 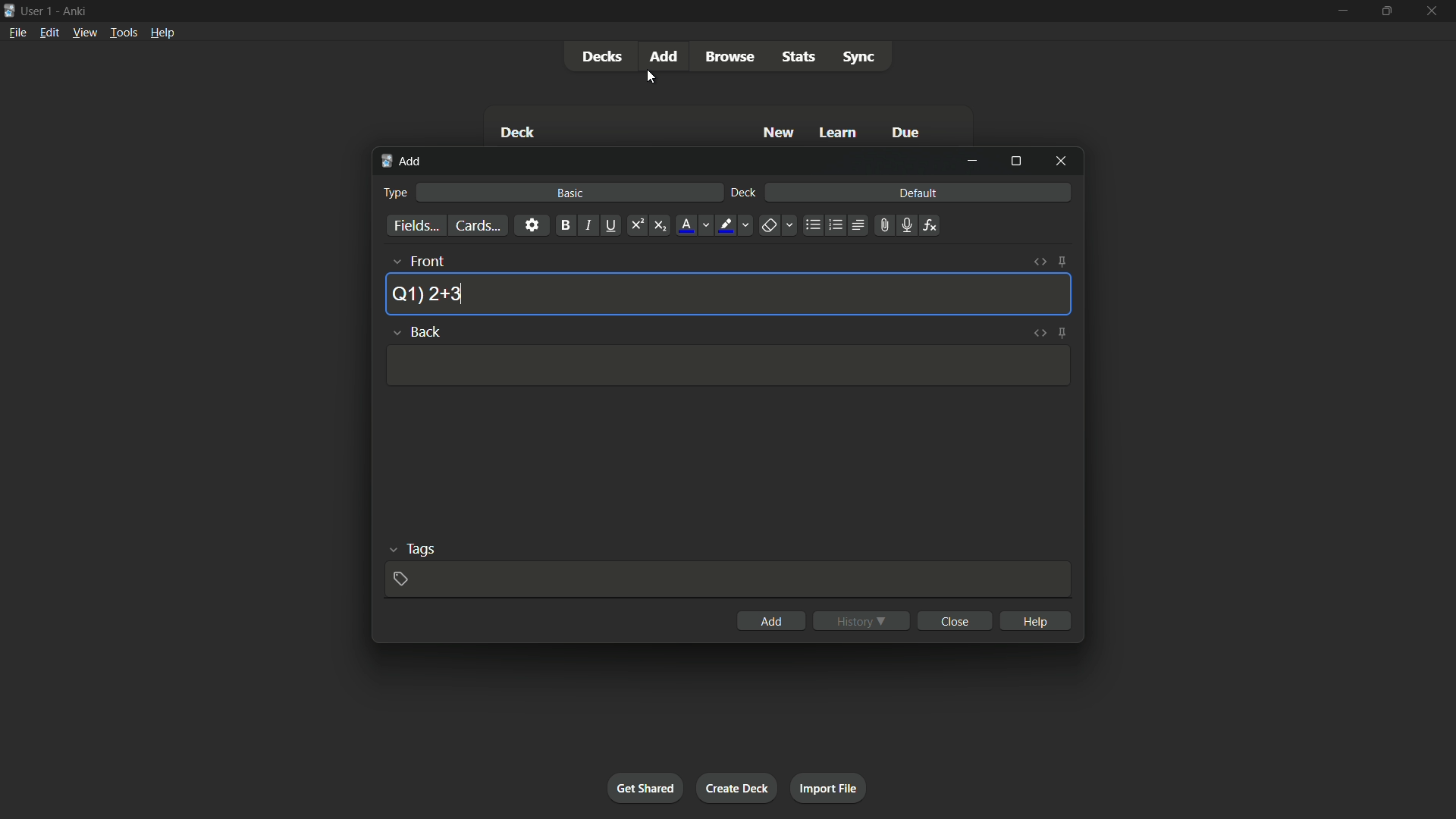 I want to click on cursor, so click(x=651, y=78).